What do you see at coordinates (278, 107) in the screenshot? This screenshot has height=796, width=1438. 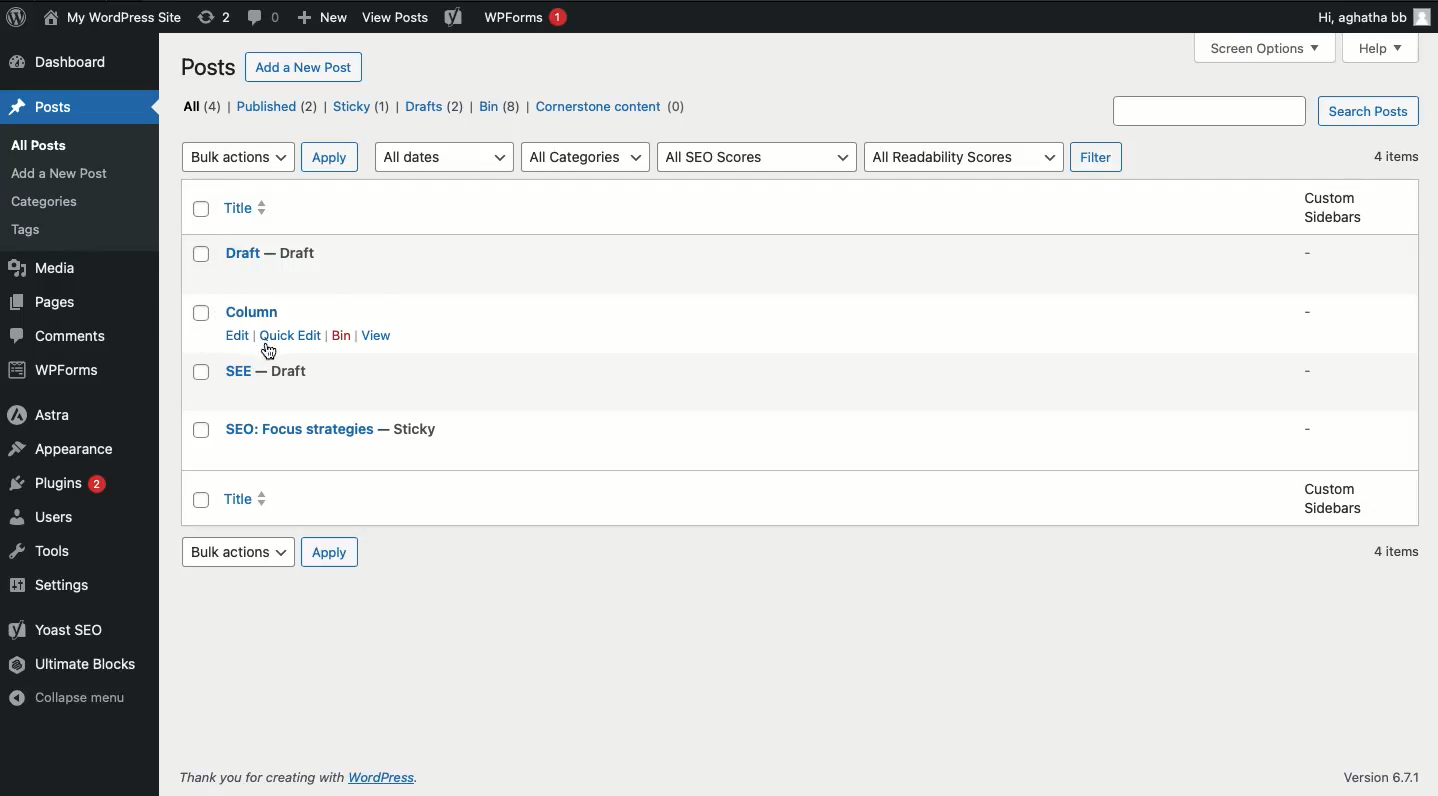 I see `Published` at bounding box center [278, 107].